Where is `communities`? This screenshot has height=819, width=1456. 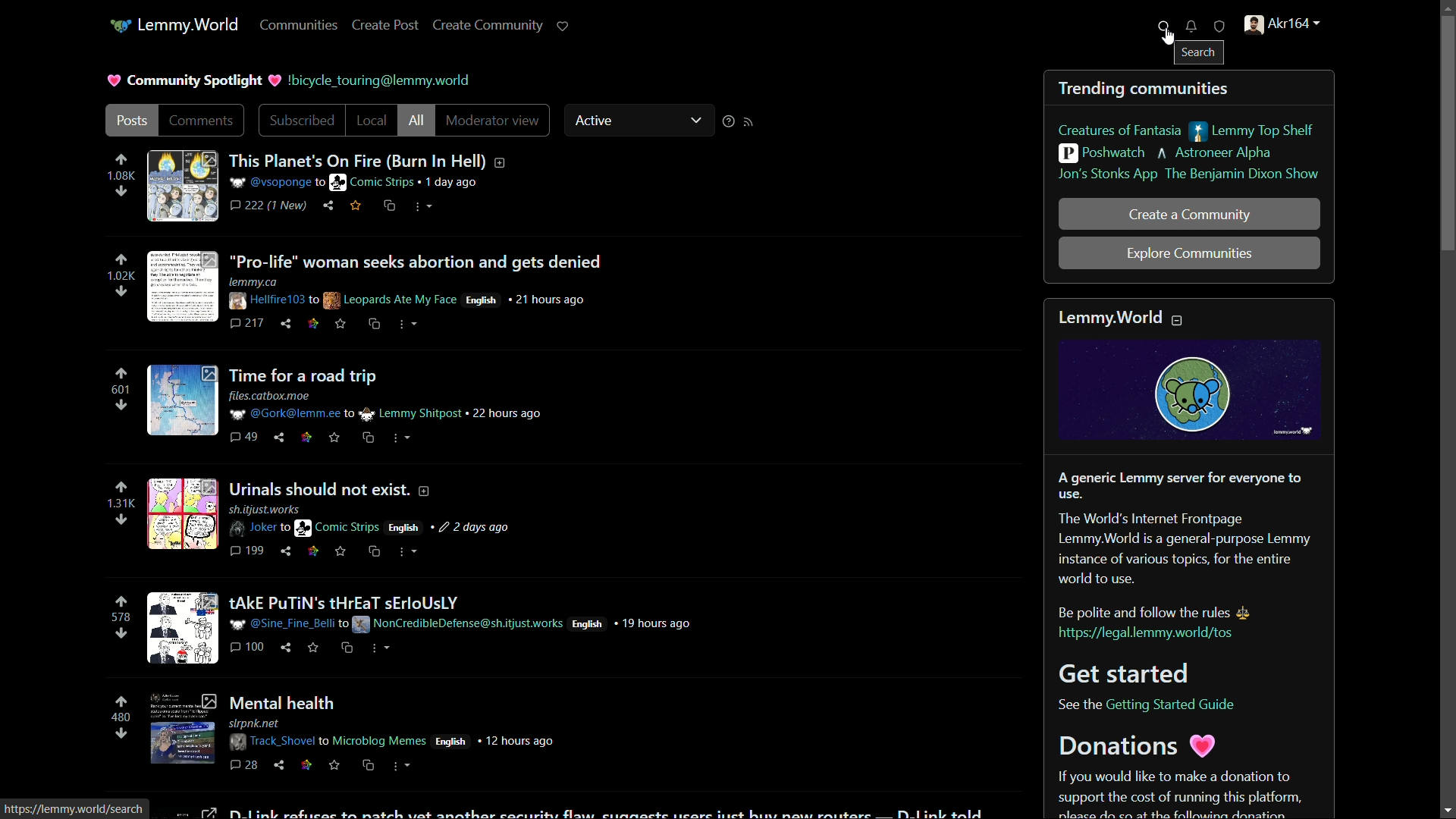 communities is located at coordinates (300, 26).